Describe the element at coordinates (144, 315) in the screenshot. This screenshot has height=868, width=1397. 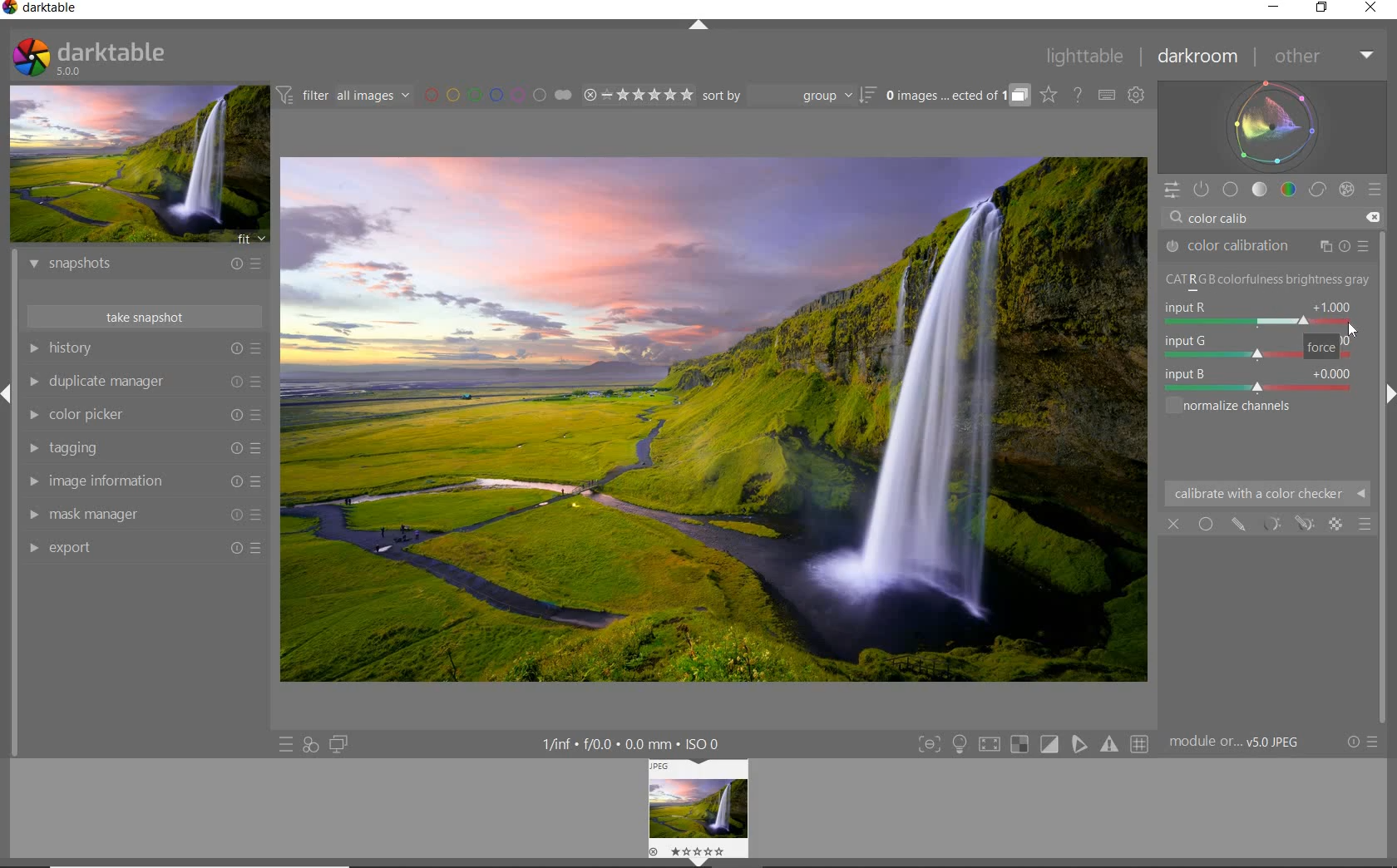
I see `take snapshot` at that location.